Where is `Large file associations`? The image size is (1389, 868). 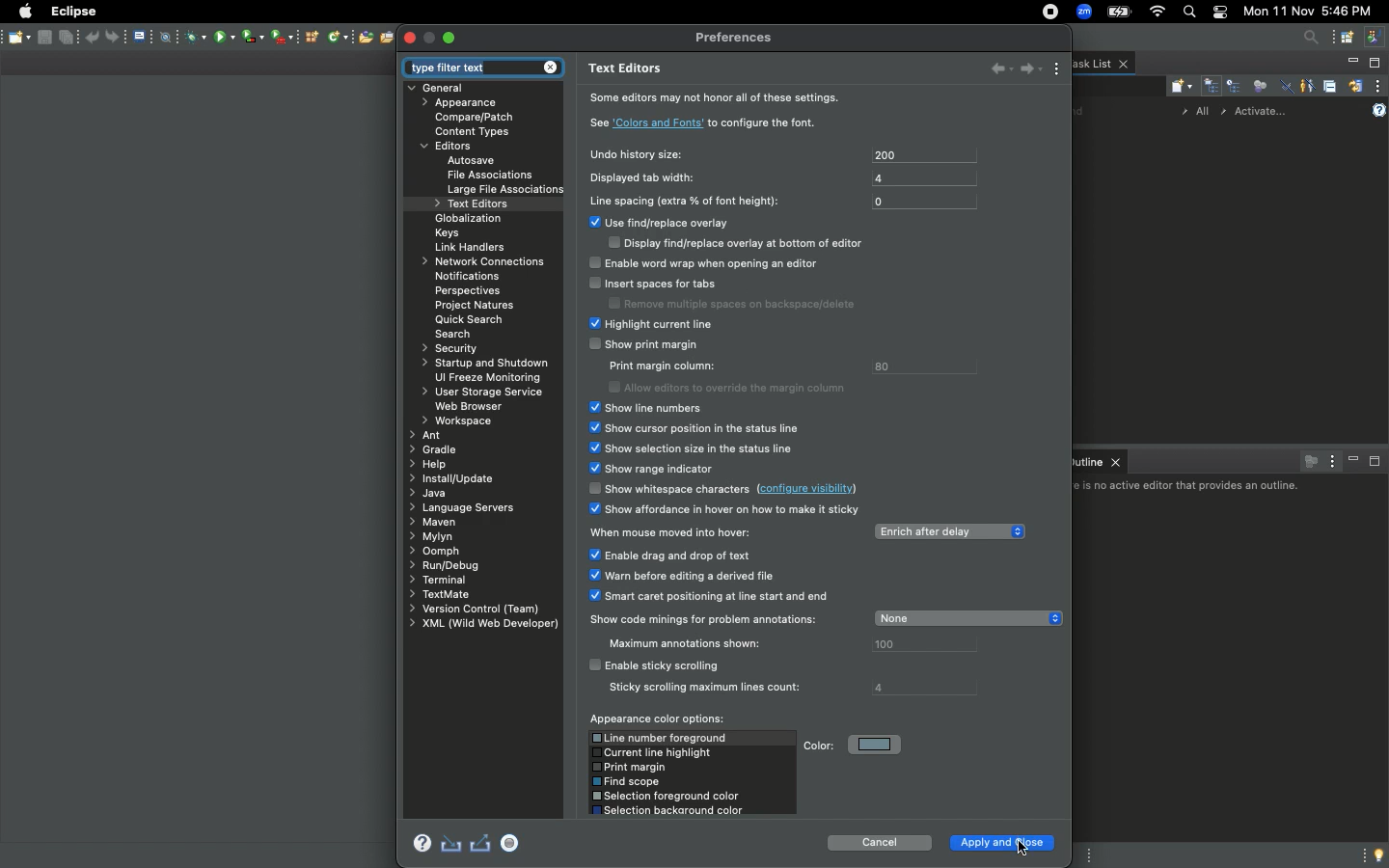
Large file associations is located at coordinates (506, 190).